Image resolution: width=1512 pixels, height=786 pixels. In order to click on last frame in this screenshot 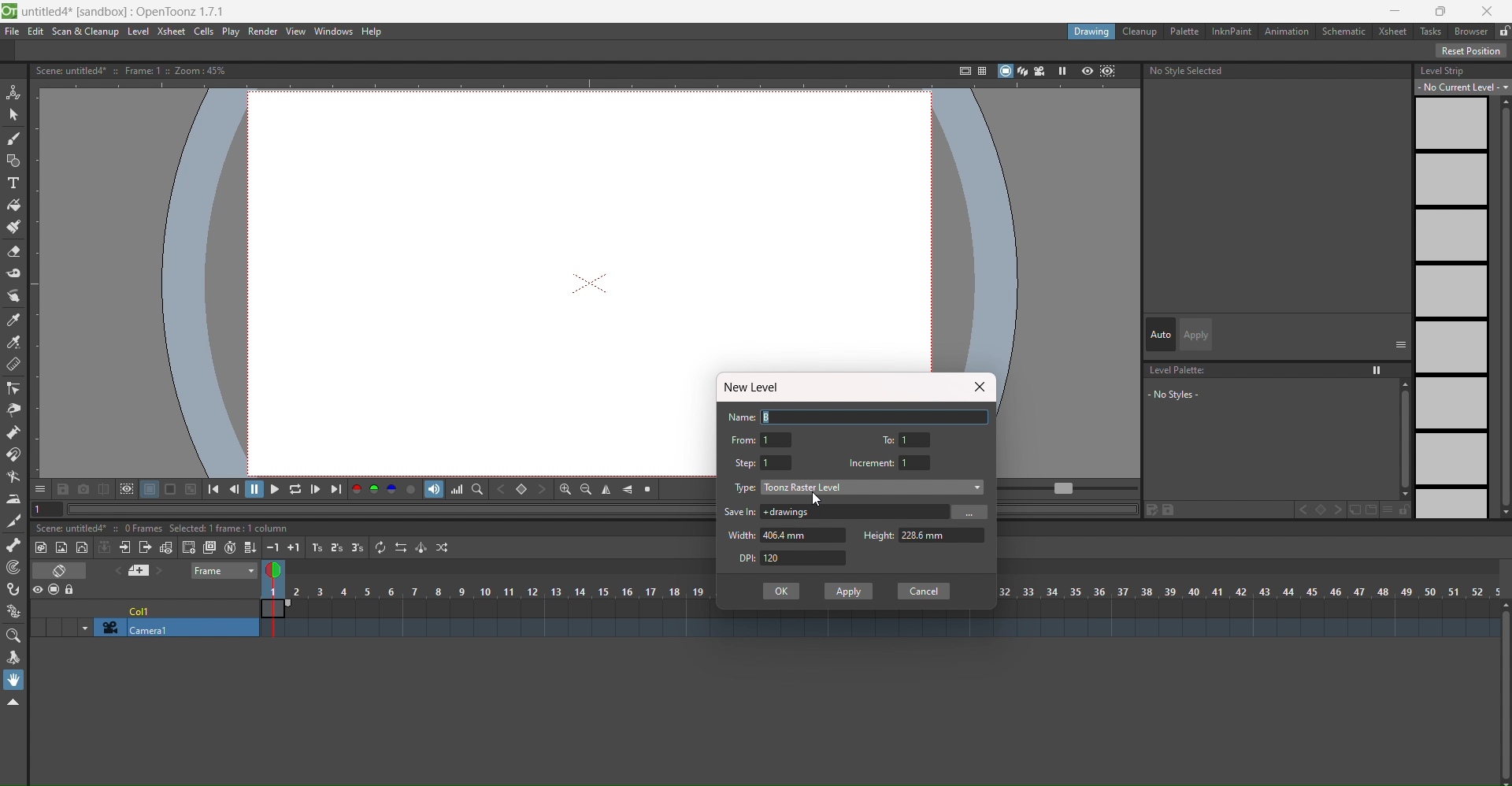, I will do `click(336, 489)`.